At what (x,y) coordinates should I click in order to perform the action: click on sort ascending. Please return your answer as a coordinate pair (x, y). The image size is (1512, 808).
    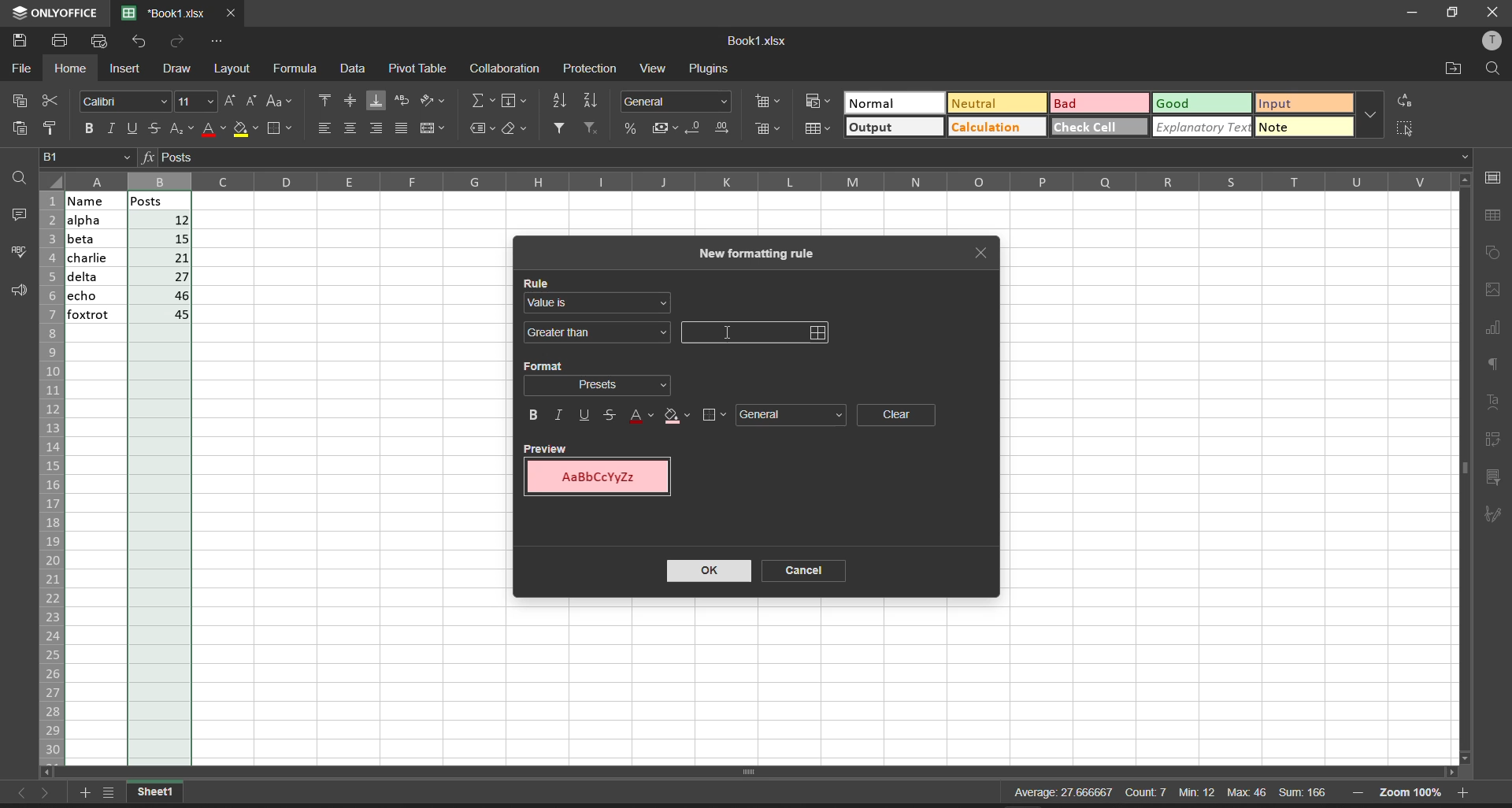
    Looking at the image, I should click on (559, 101).